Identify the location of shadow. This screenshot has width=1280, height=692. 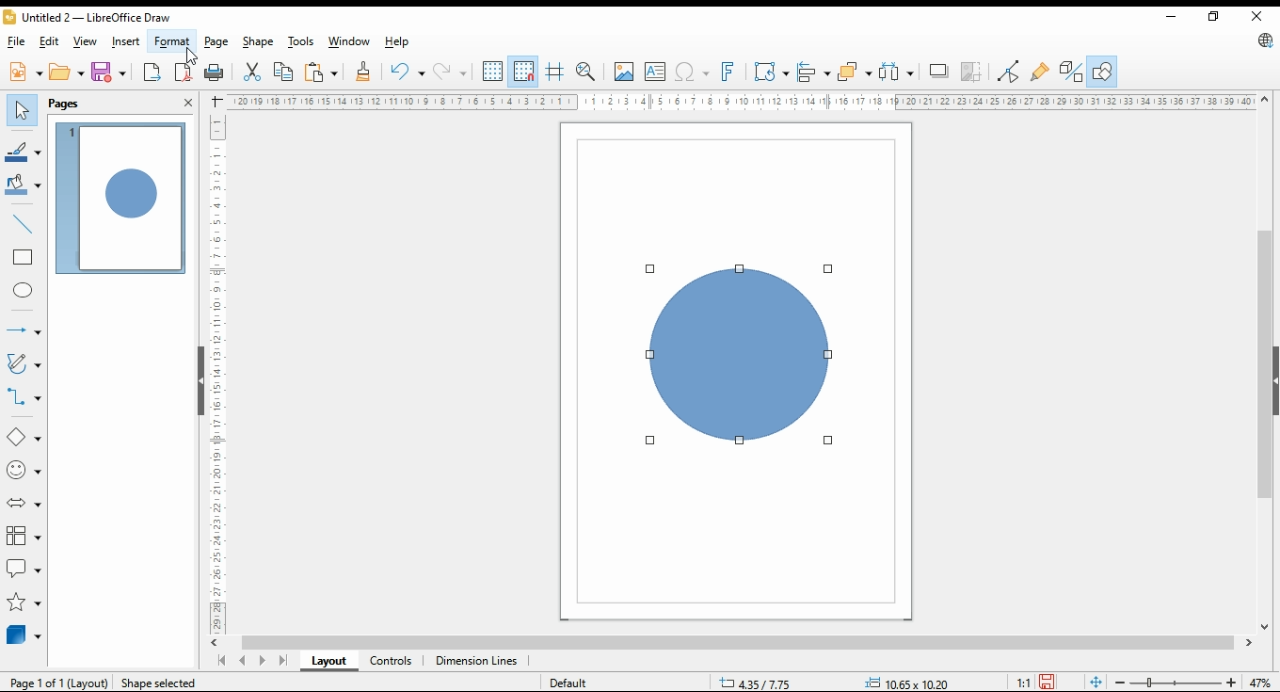
(936, 71).